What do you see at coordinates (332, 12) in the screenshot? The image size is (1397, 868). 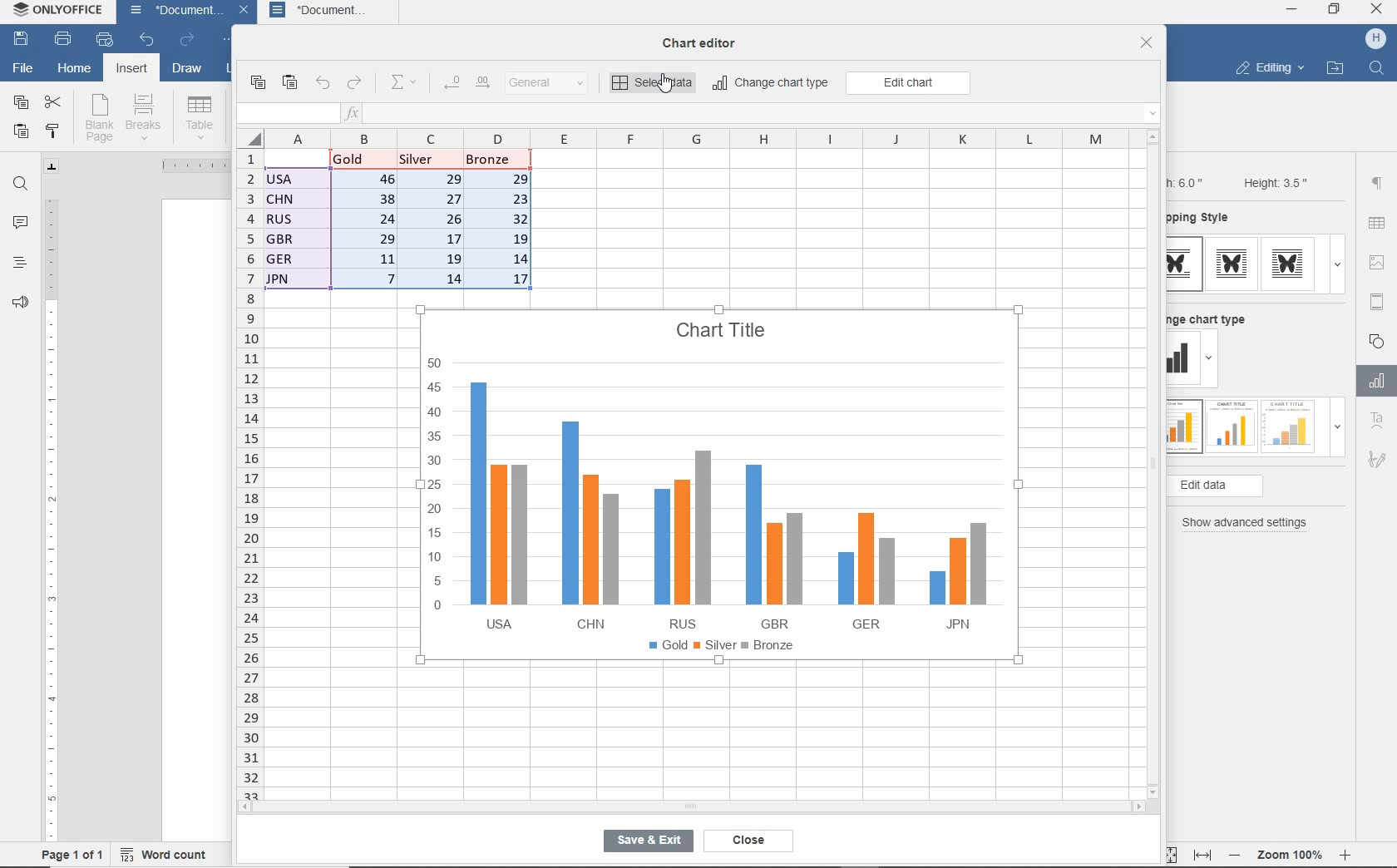 I see `document` at bounding box center [332, 12].